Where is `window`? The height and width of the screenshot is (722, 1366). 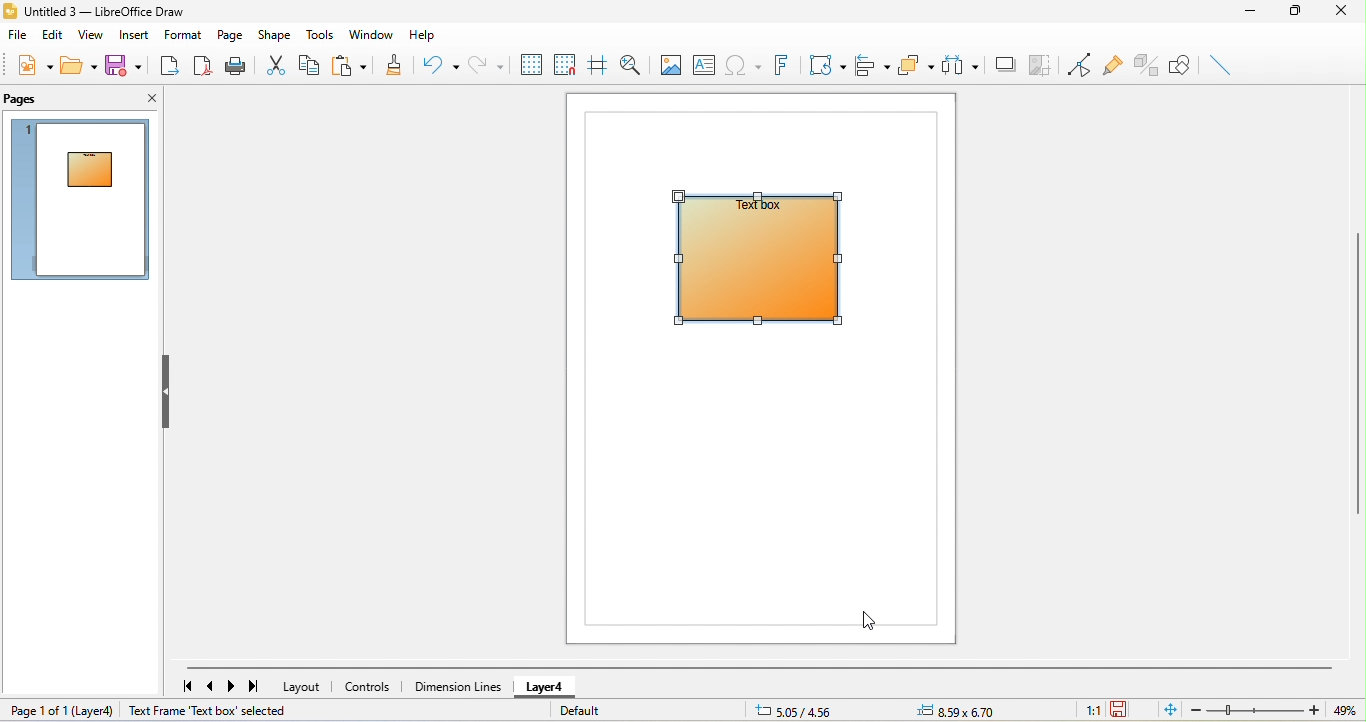
window is located at coordinates (368, 34).